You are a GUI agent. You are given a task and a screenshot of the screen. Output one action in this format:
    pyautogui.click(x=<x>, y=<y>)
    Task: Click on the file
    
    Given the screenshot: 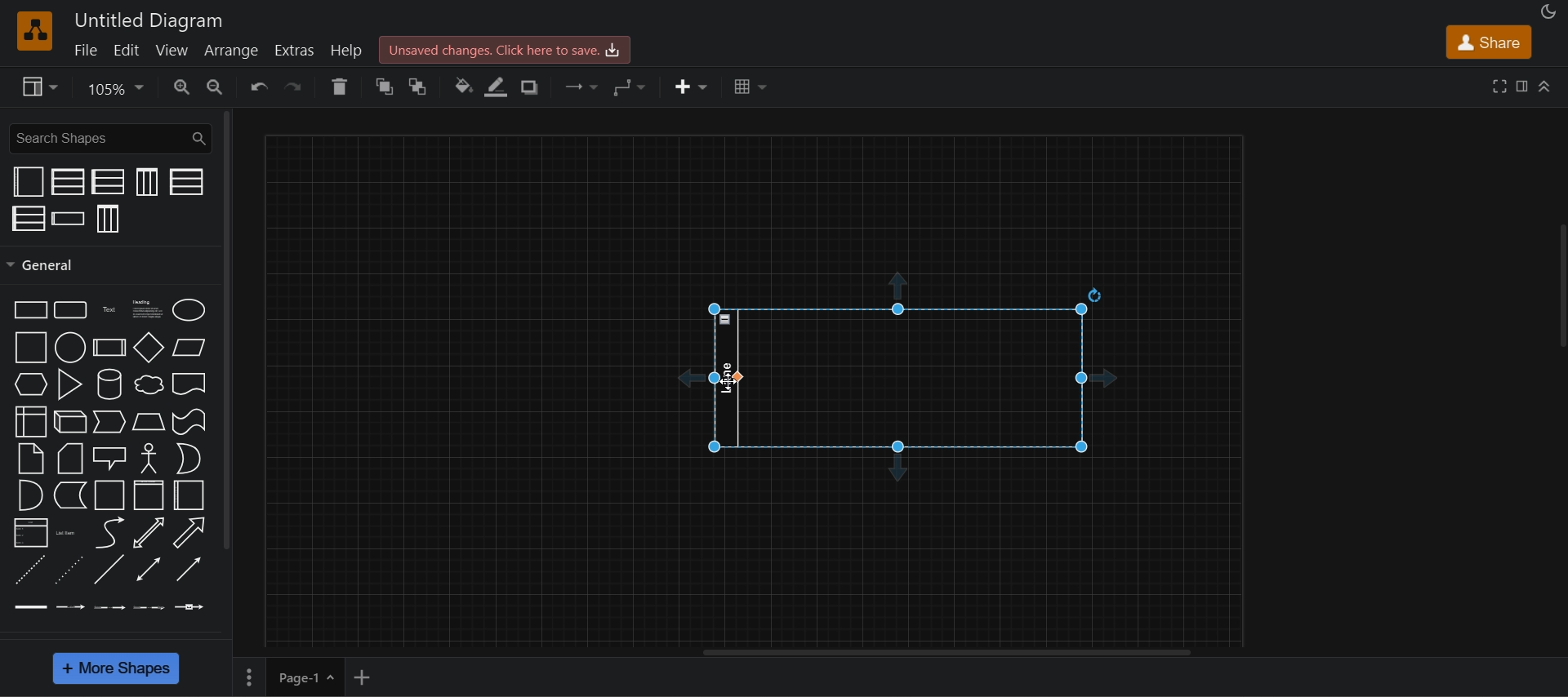 What is the action you would take?
    pyautogui.click(x=89, y=49)
    